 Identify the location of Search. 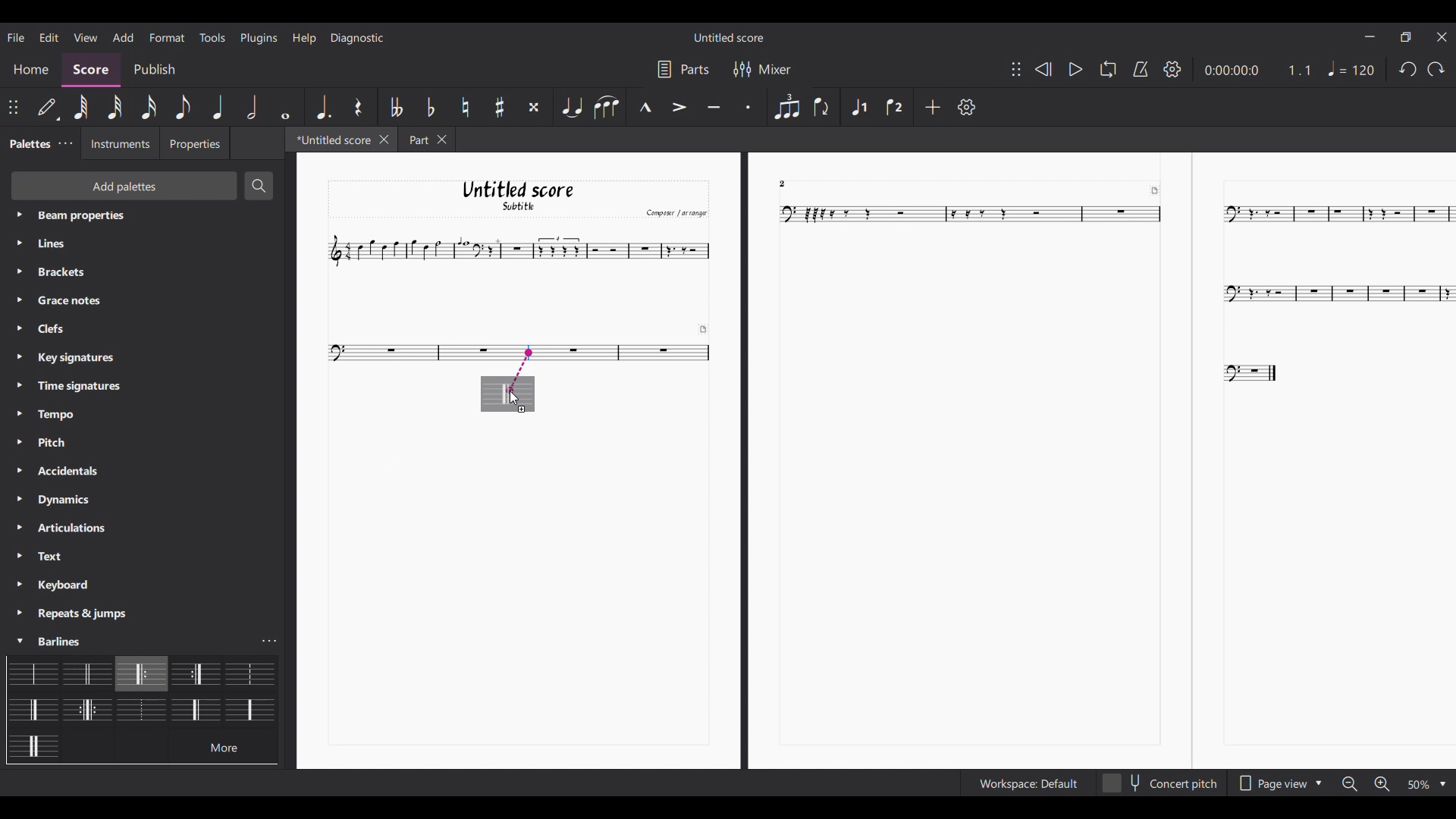
(259, 185).